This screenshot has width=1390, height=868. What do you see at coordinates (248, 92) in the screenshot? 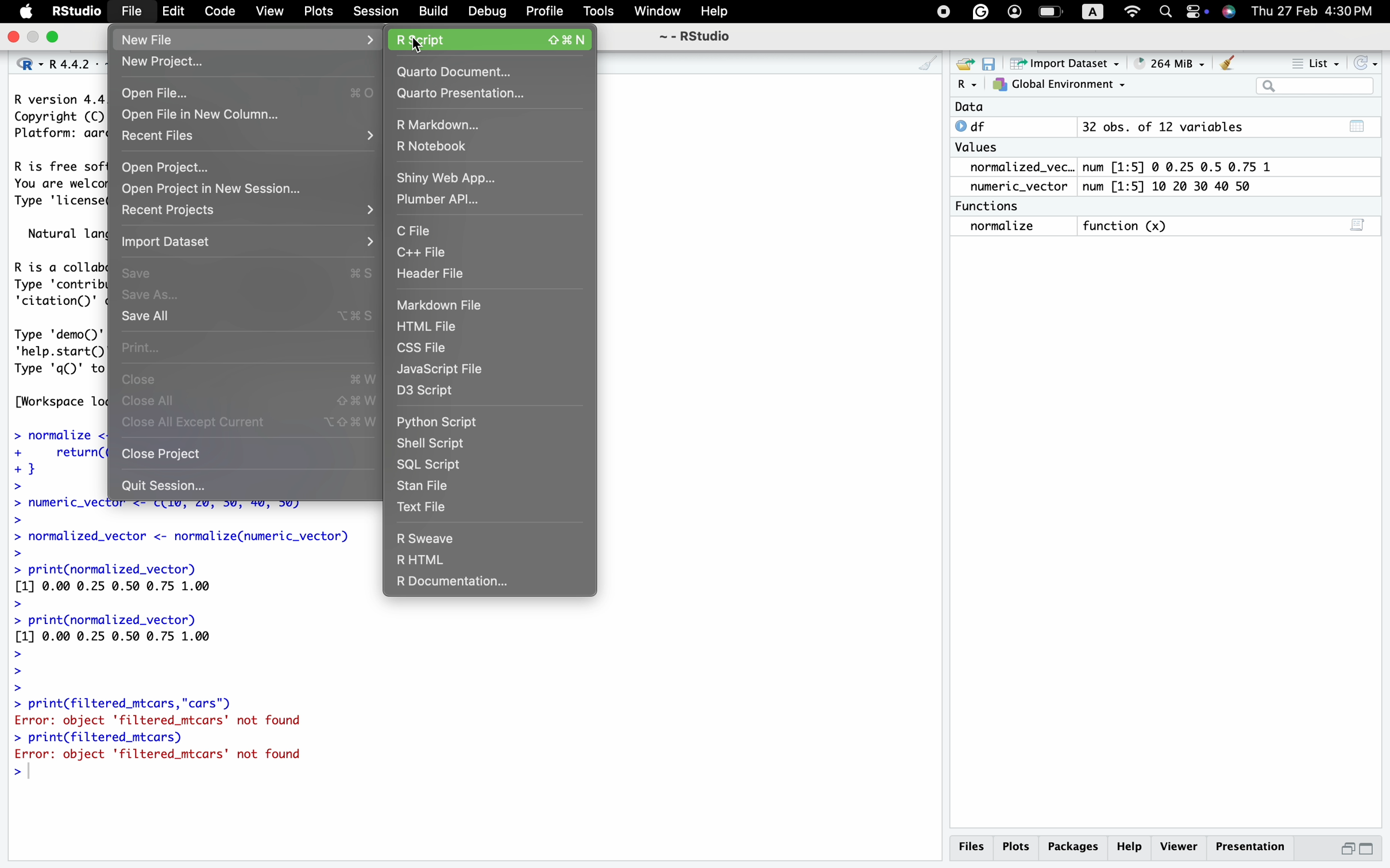
I see `open file` at bounding box center [248, 92].